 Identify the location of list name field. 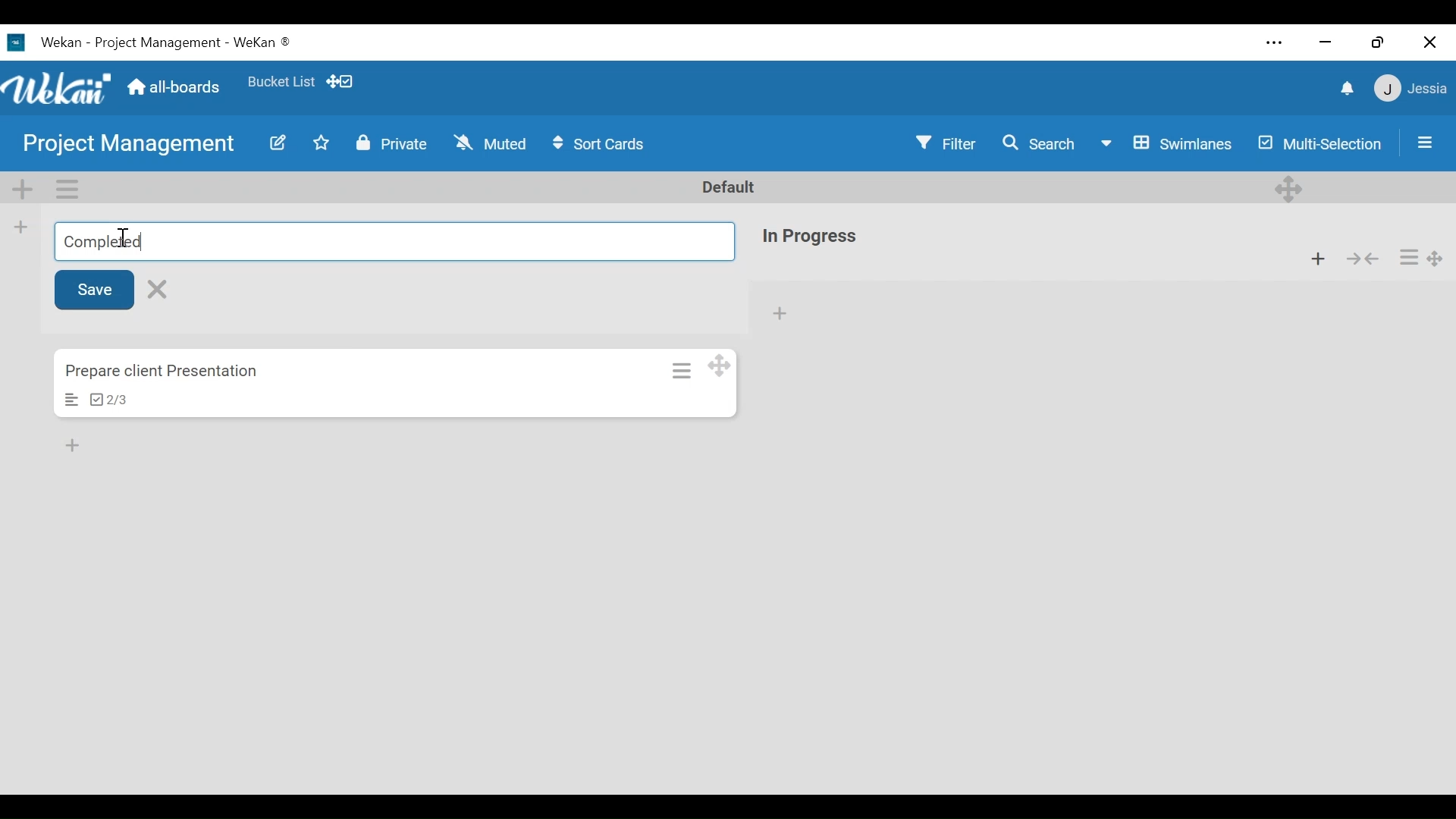
(393, 241).